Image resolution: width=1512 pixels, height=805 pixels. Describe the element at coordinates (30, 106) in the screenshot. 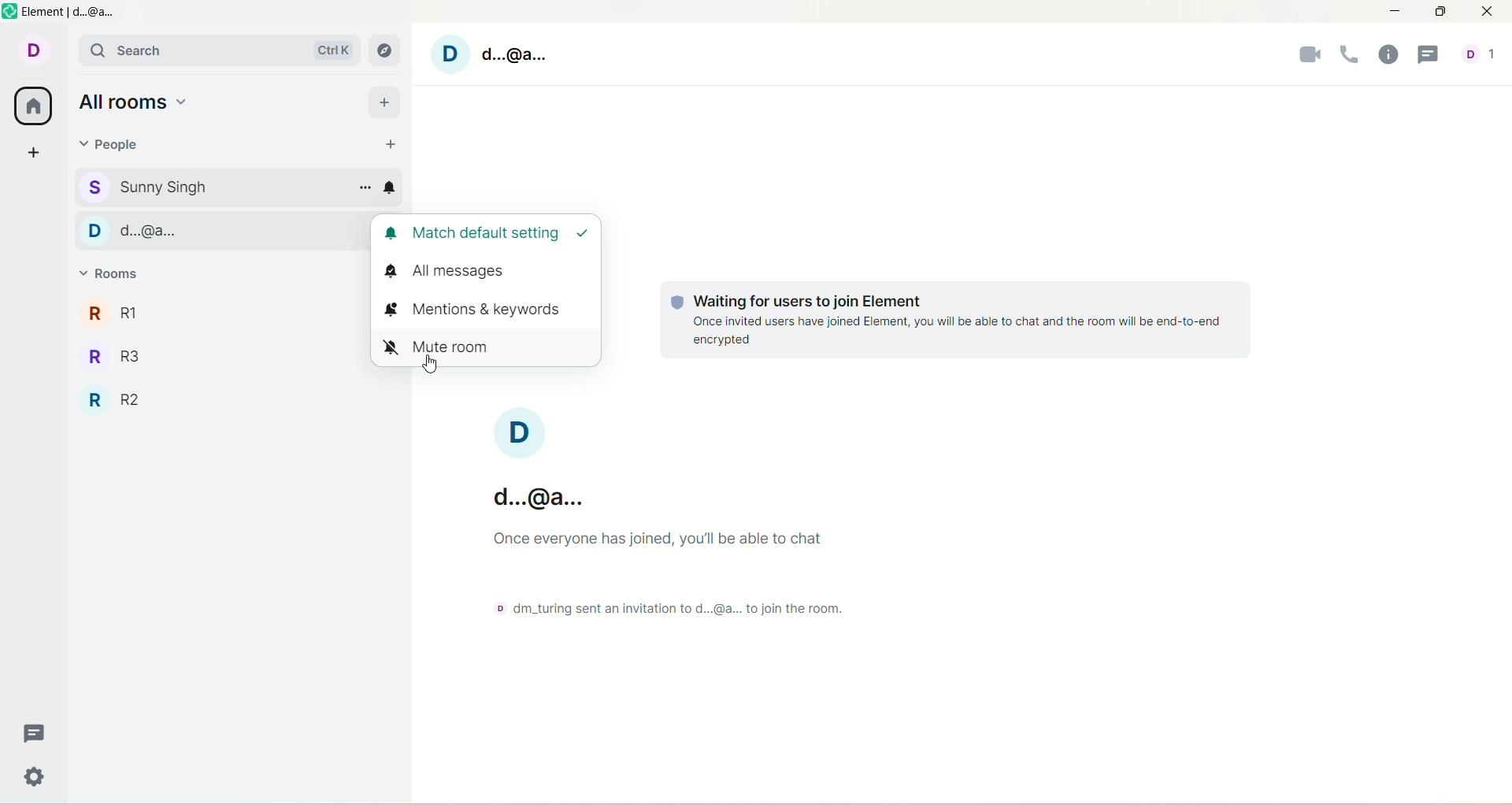

I see `all rooms` at that location.